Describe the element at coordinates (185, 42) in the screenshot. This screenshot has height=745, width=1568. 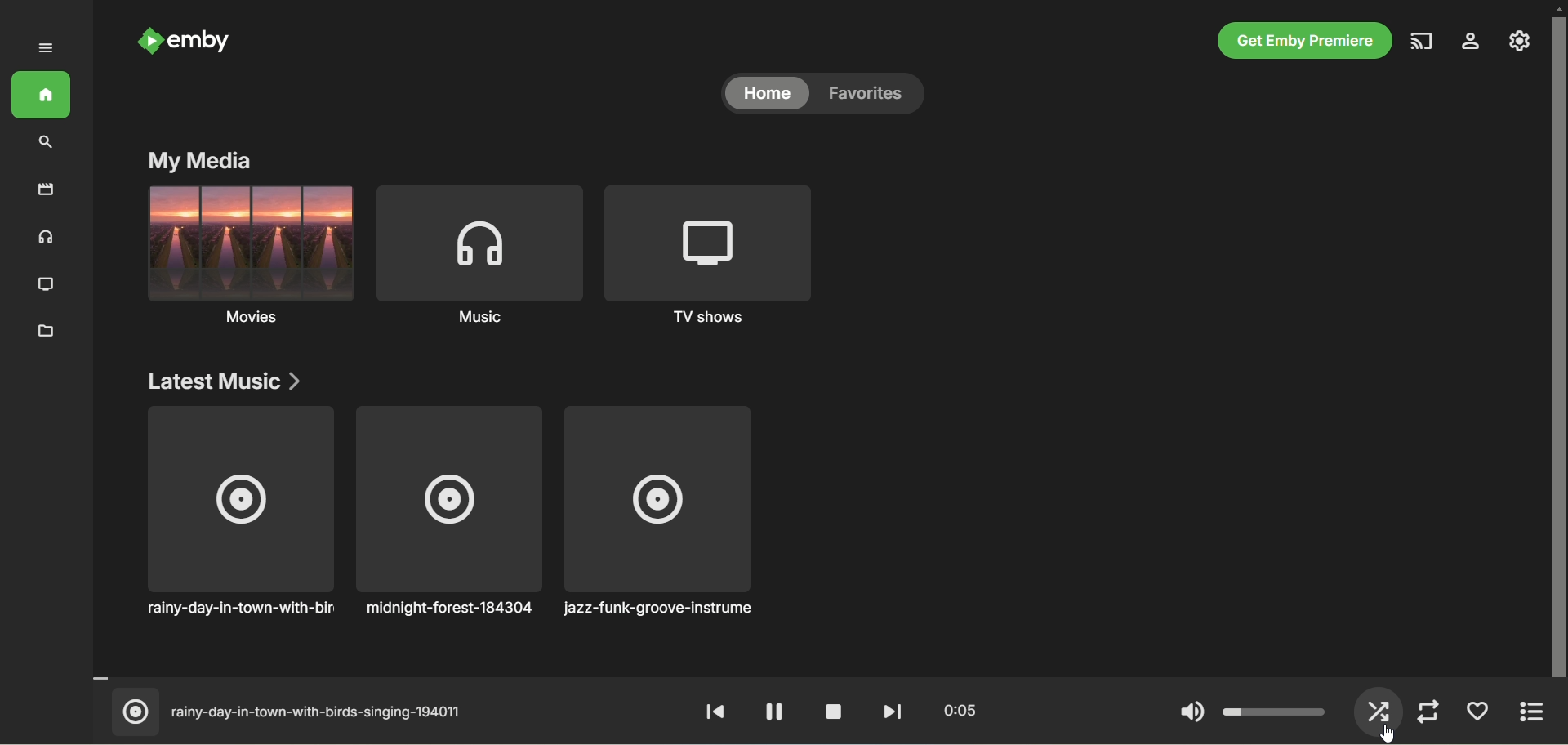
I see `emby` at that location.